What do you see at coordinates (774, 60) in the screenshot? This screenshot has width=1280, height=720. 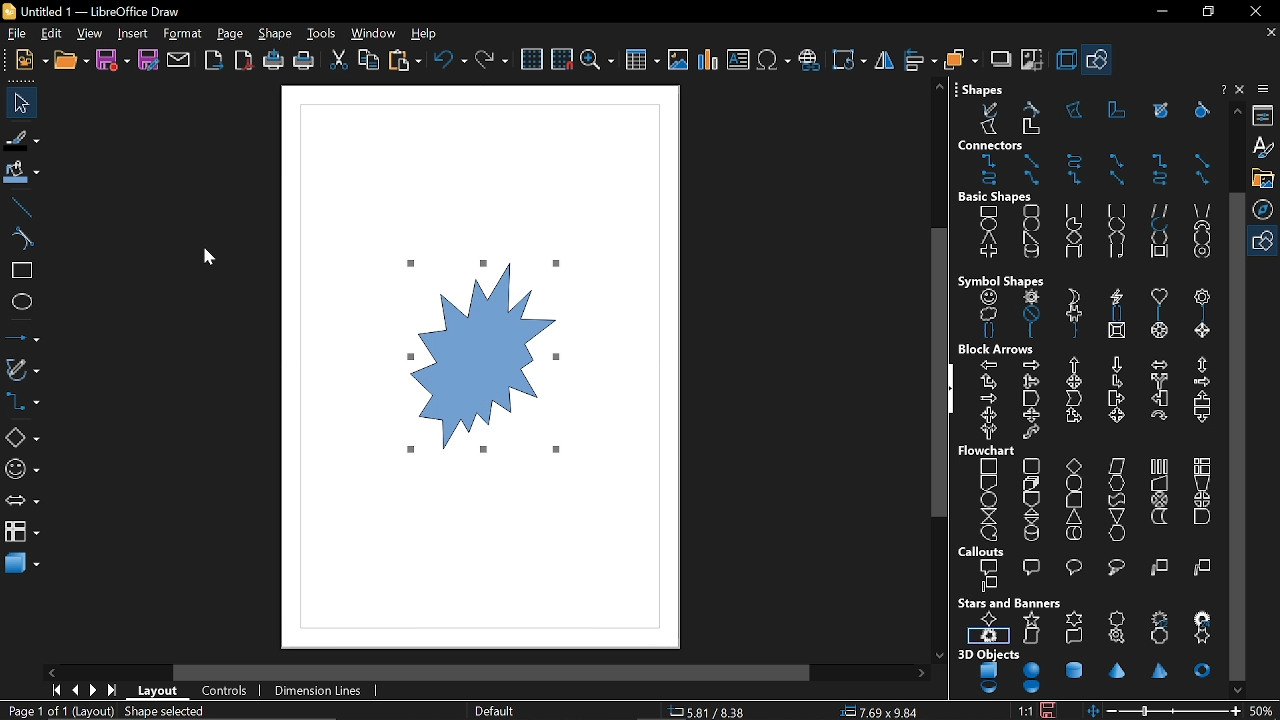 I see `insert symbol` at bounding box center [774, 60].